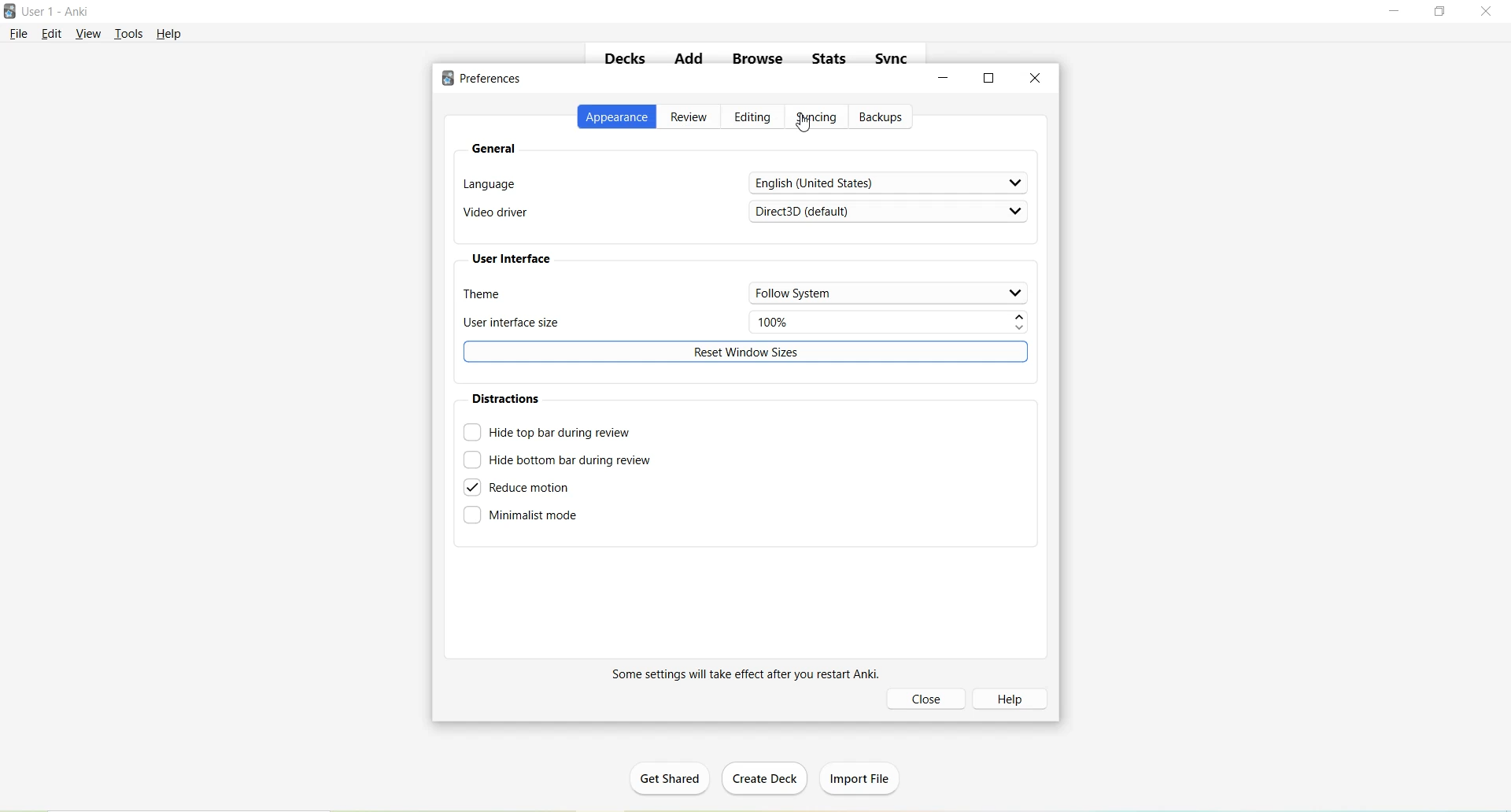 This screenshot has width=1511, height=812. I want to click on Language, so click(744, 183).